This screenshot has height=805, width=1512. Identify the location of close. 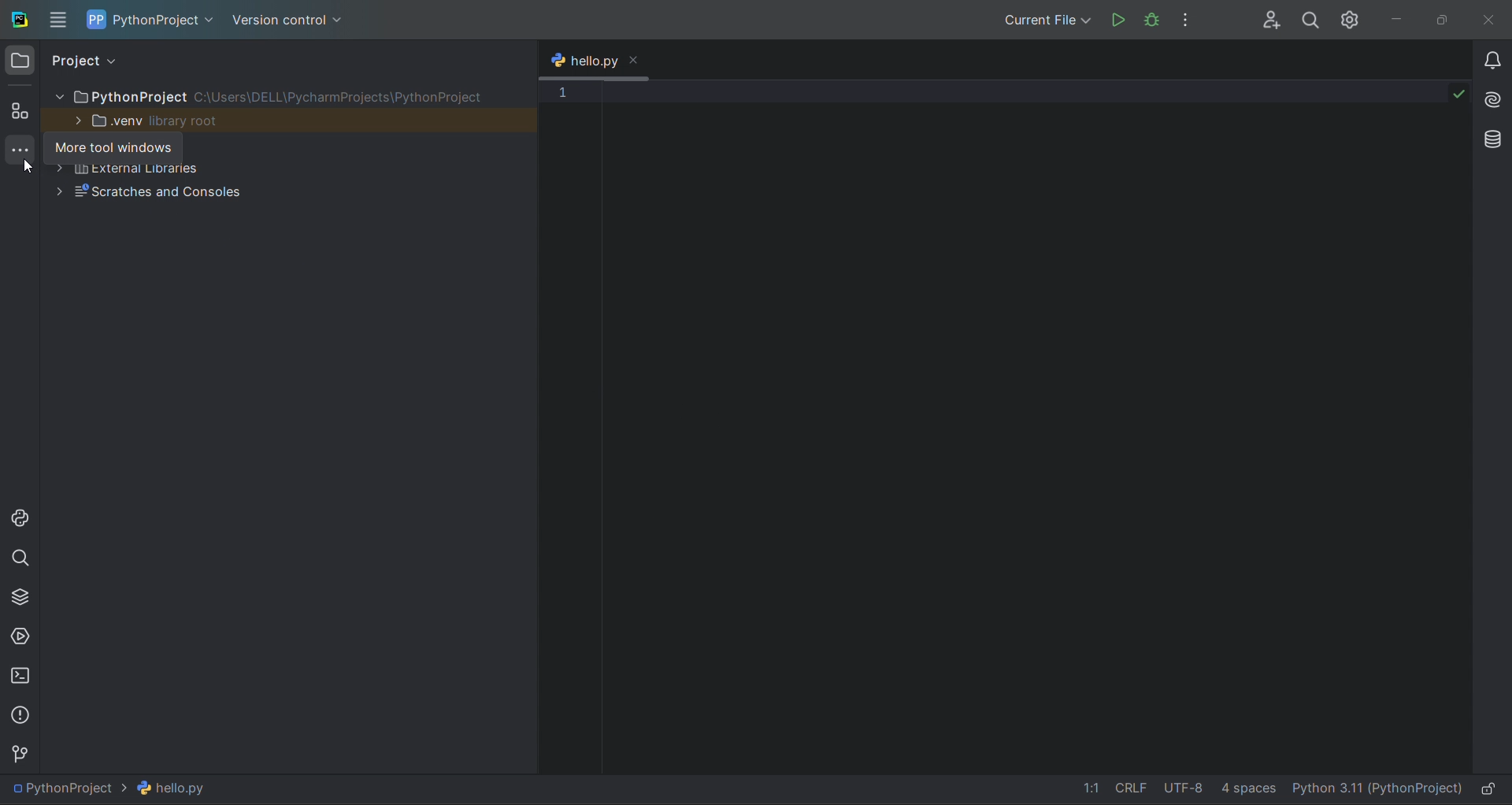
(1493, 19).